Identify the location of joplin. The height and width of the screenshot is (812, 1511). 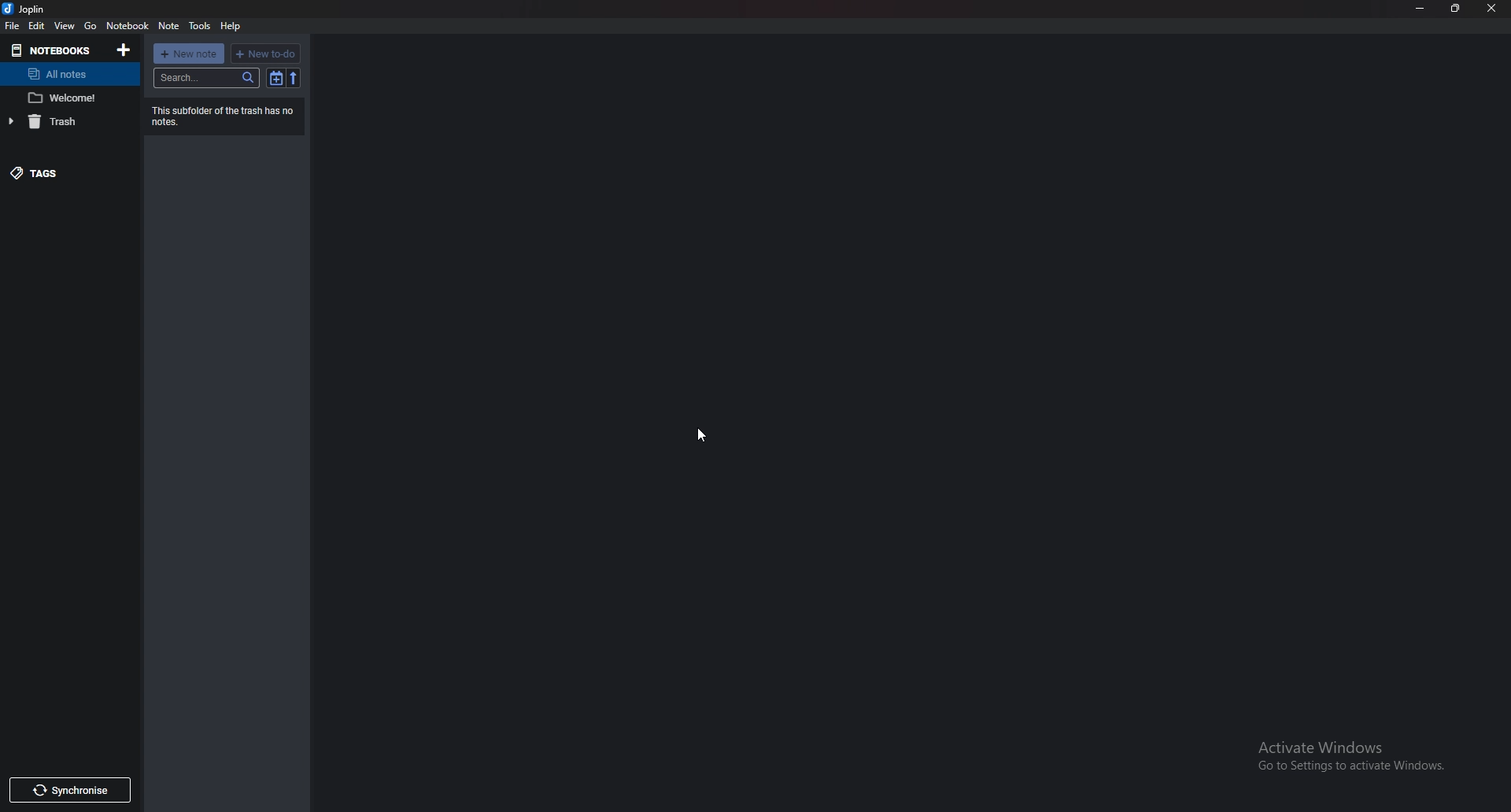
(27, 9).